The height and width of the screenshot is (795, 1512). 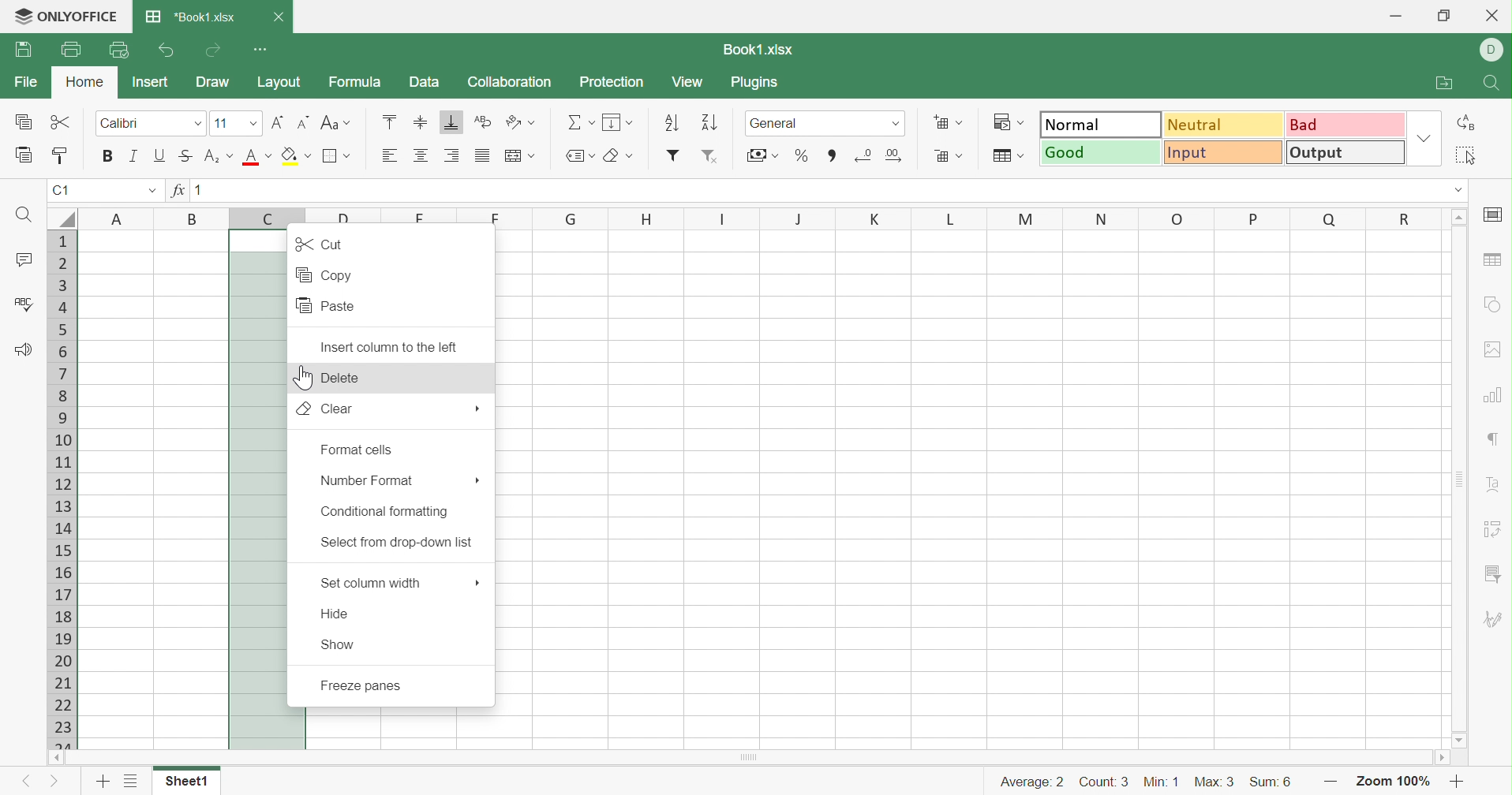 I want to click on Align Middle, so click(x=422, y=121).